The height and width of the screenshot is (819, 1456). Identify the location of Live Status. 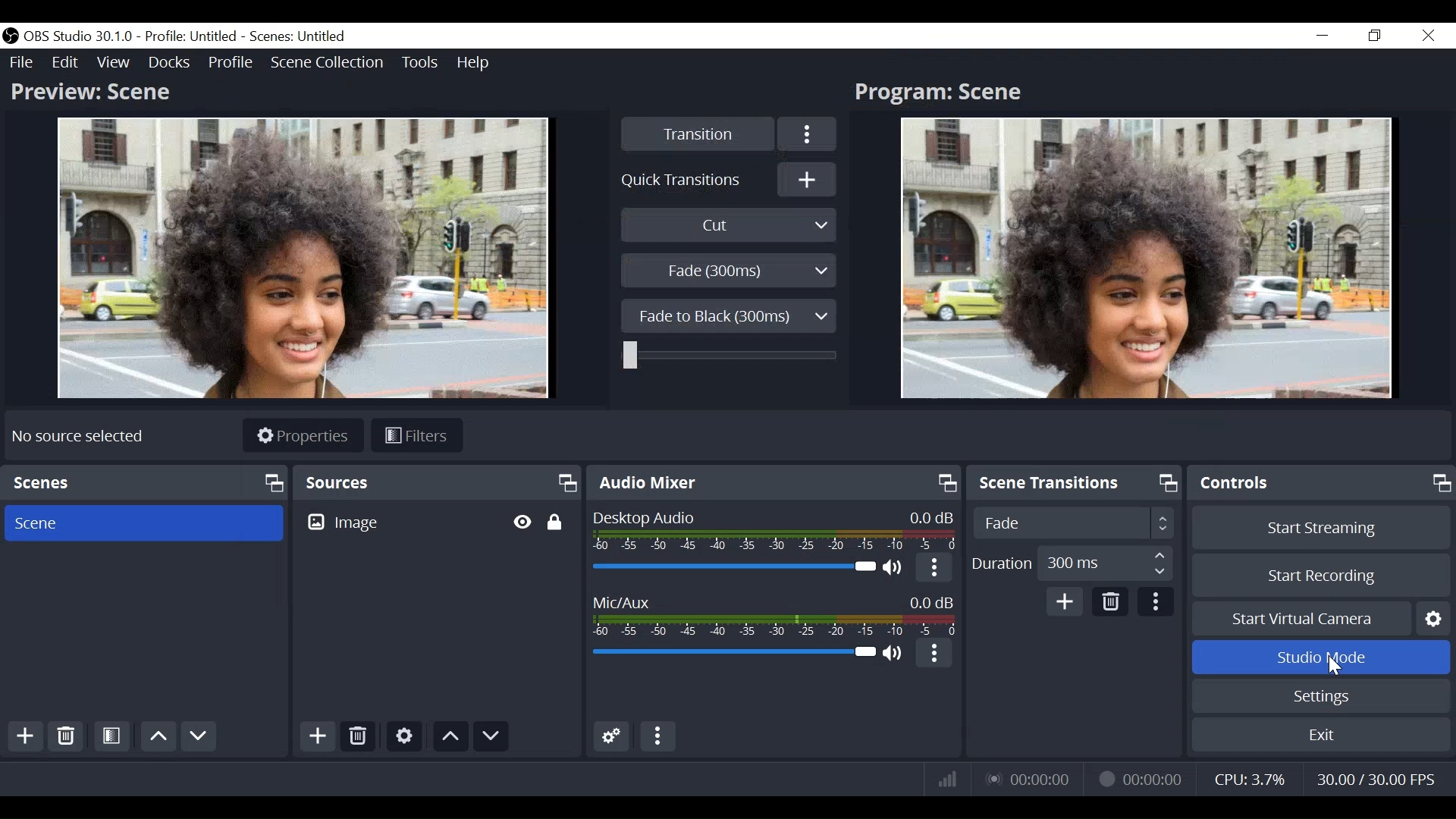
(1034, 780).